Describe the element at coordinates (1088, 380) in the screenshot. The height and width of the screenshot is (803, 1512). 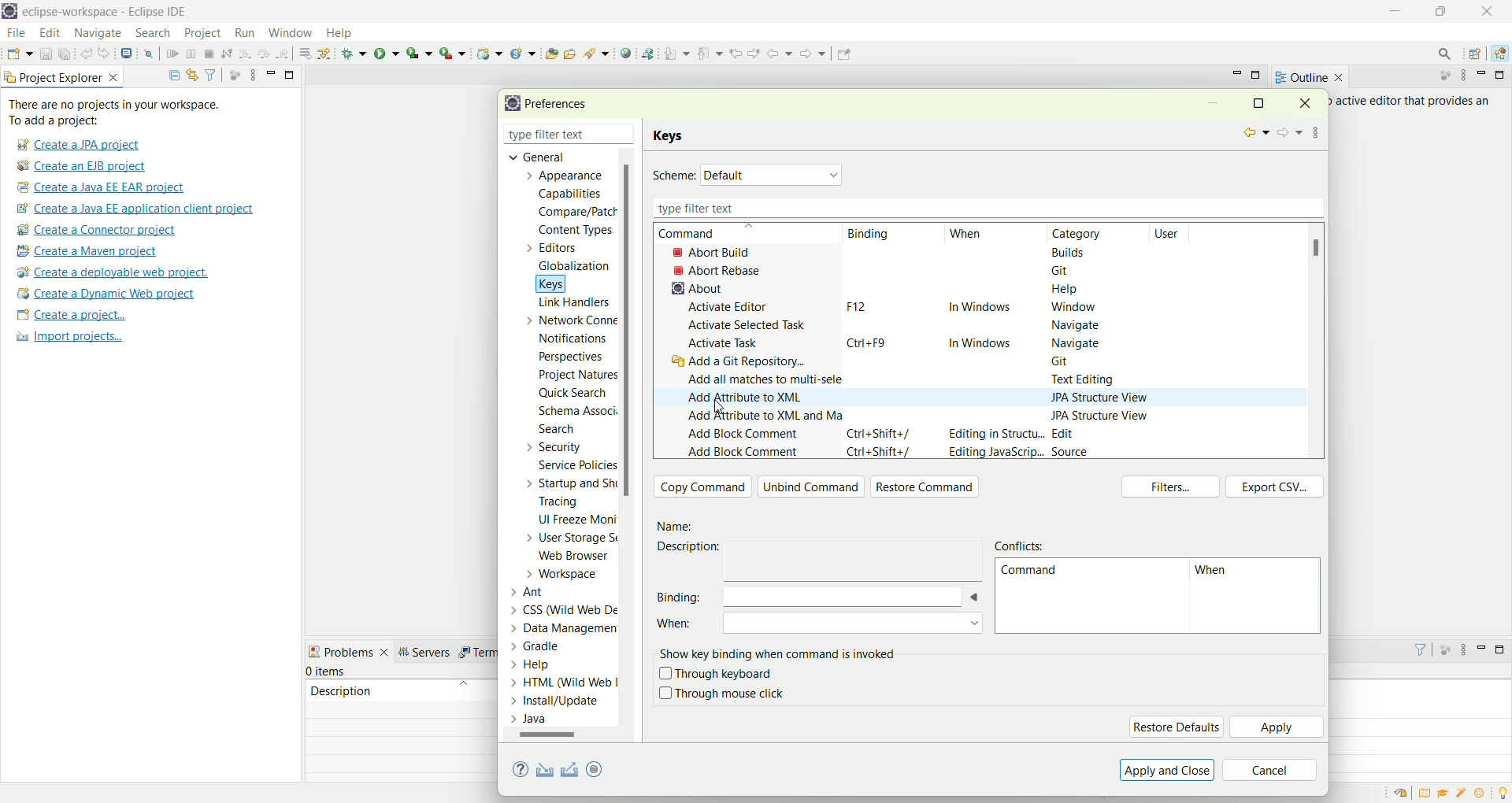
I see `text editing` at that location.